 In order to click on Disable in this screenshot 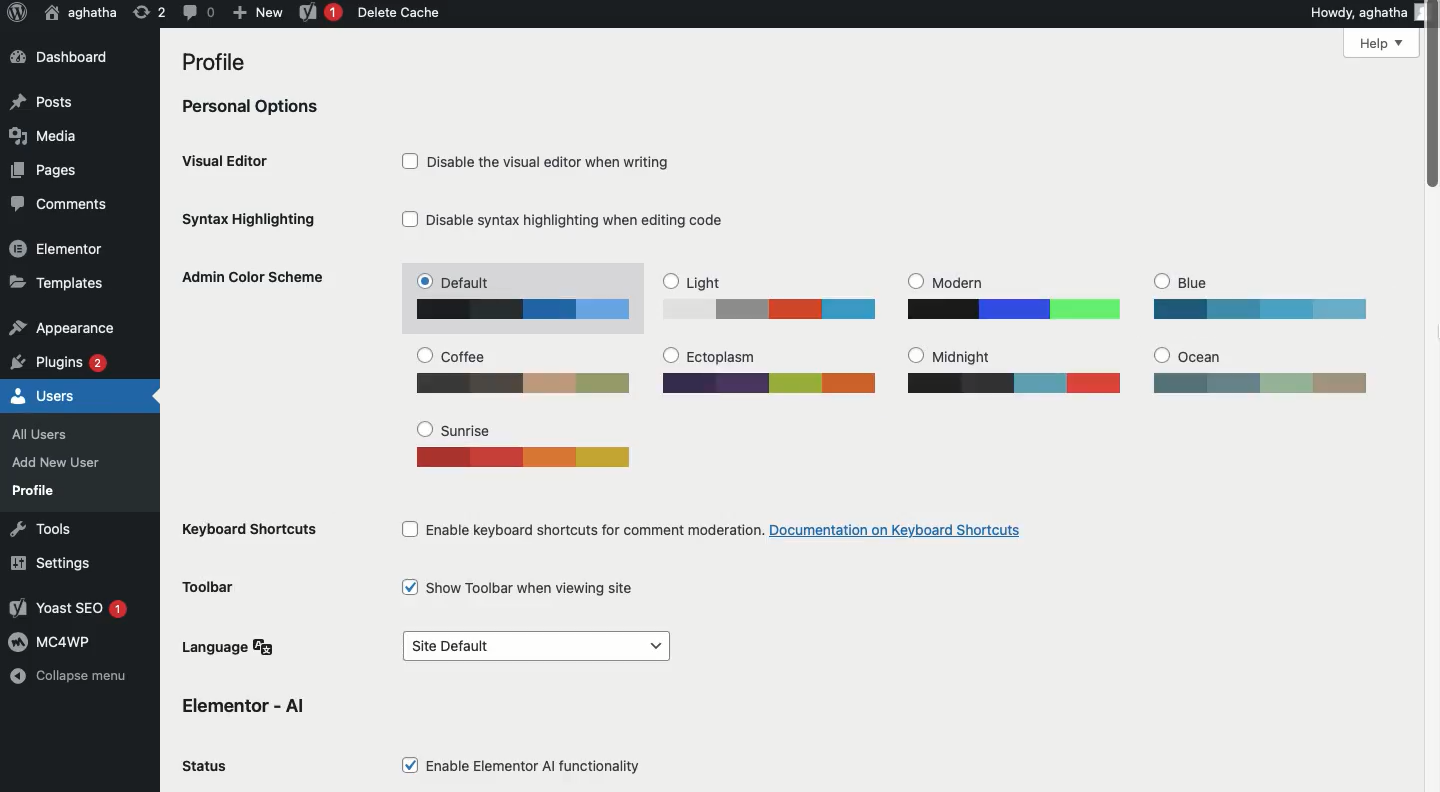, I will do `click(566, 219)`.